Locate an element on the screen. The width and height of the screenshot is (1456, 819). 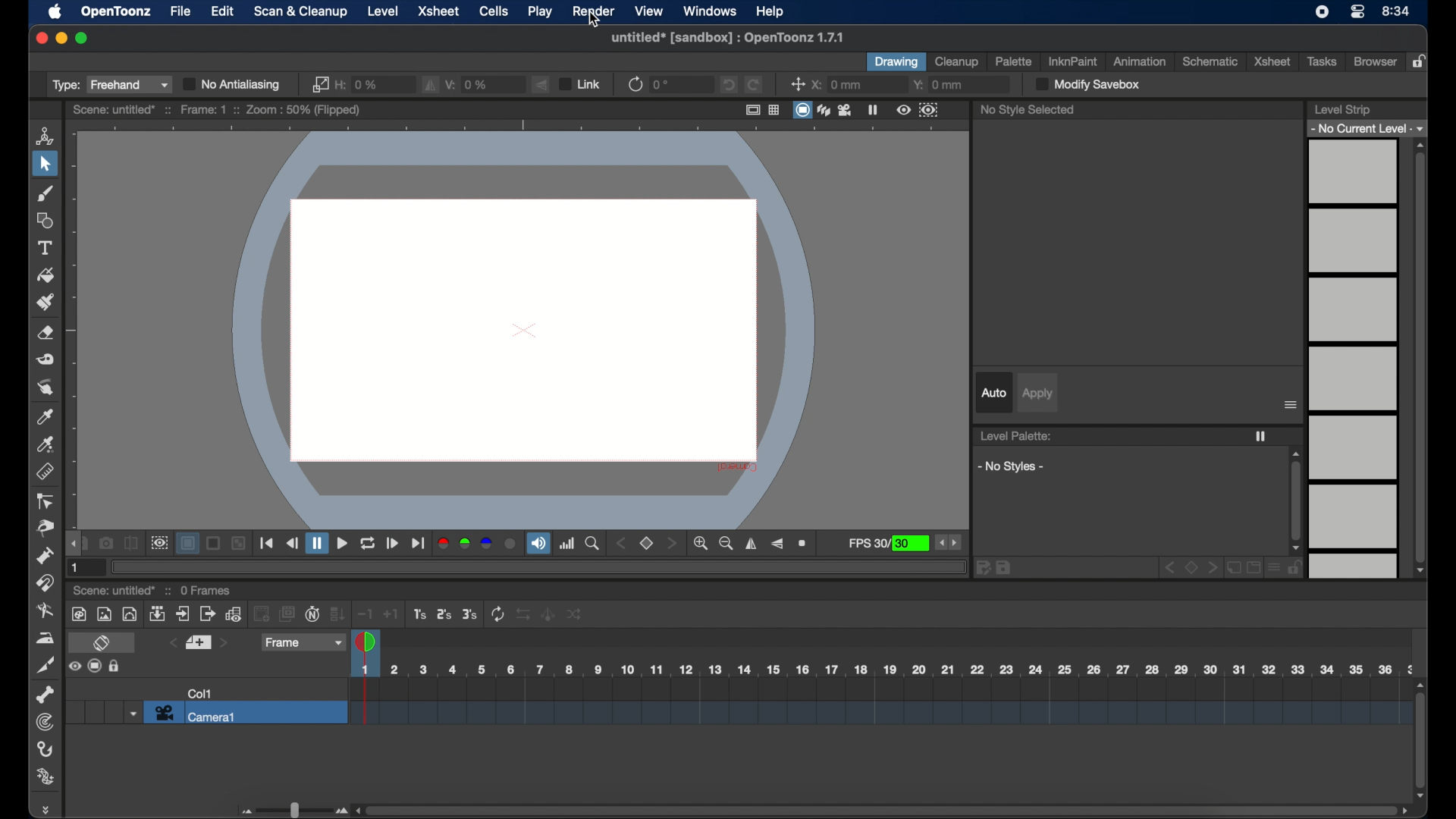
 is located at coordinates (1257, 567).